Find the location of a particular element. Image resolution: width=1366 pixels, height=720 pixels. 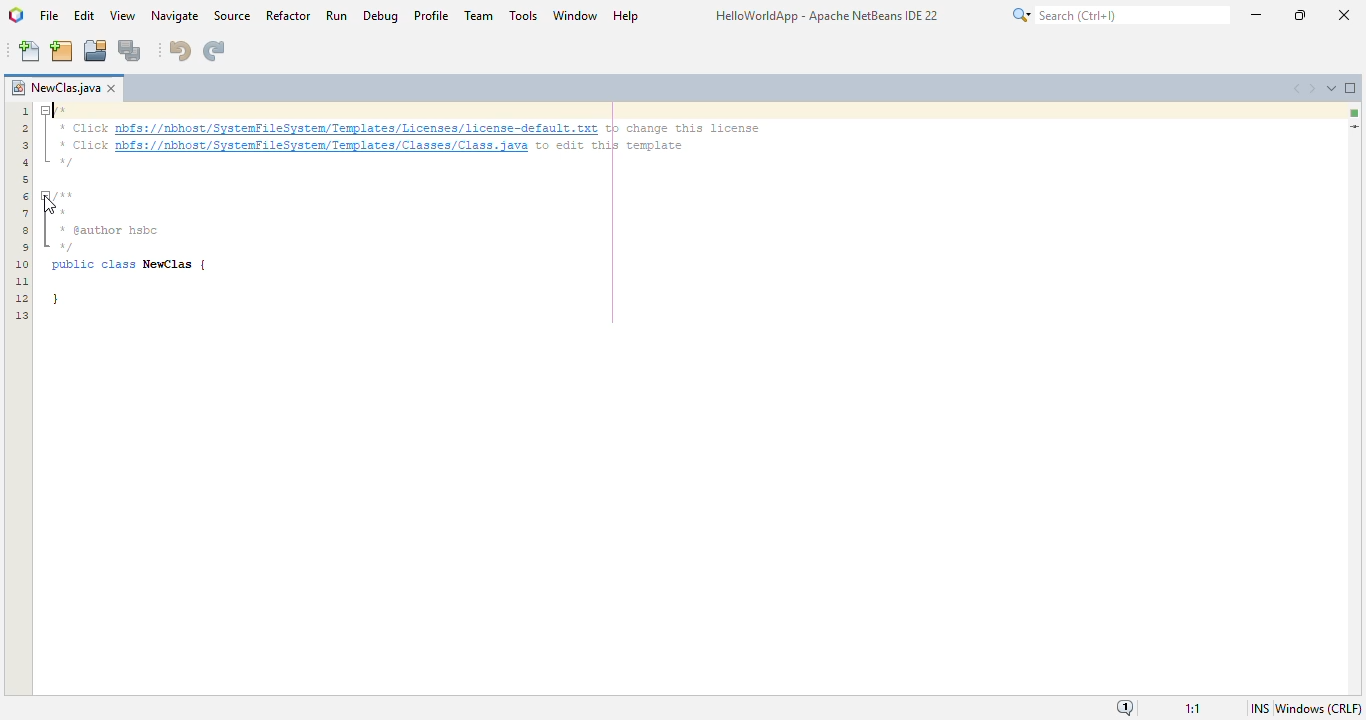

Close is located at coordinates (1345, 17).